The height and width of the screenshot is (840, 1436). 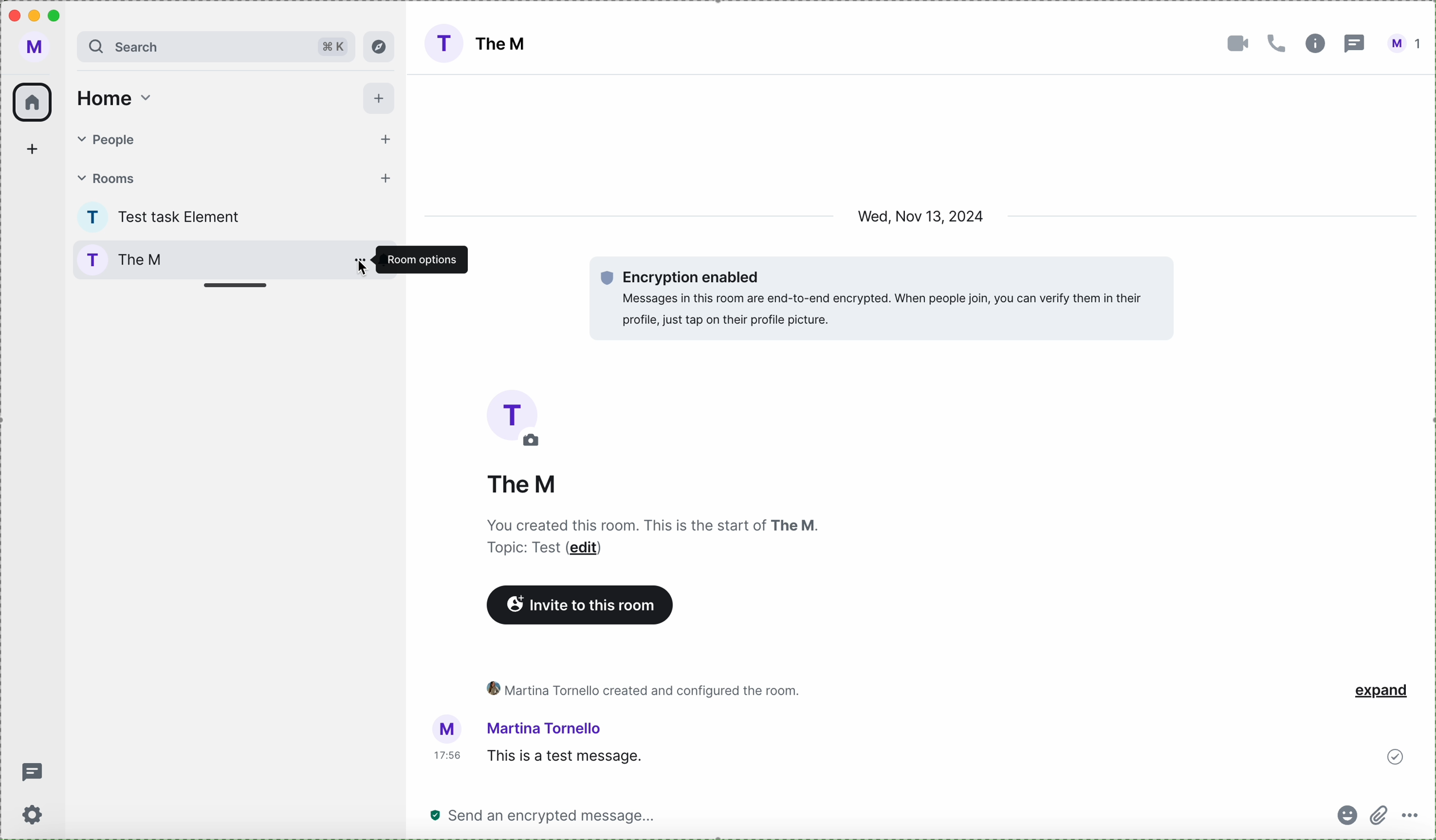 What do you see at coordinates (336, 47) in the screenshot?
I see `short cut` at bounding box center [336, 47].